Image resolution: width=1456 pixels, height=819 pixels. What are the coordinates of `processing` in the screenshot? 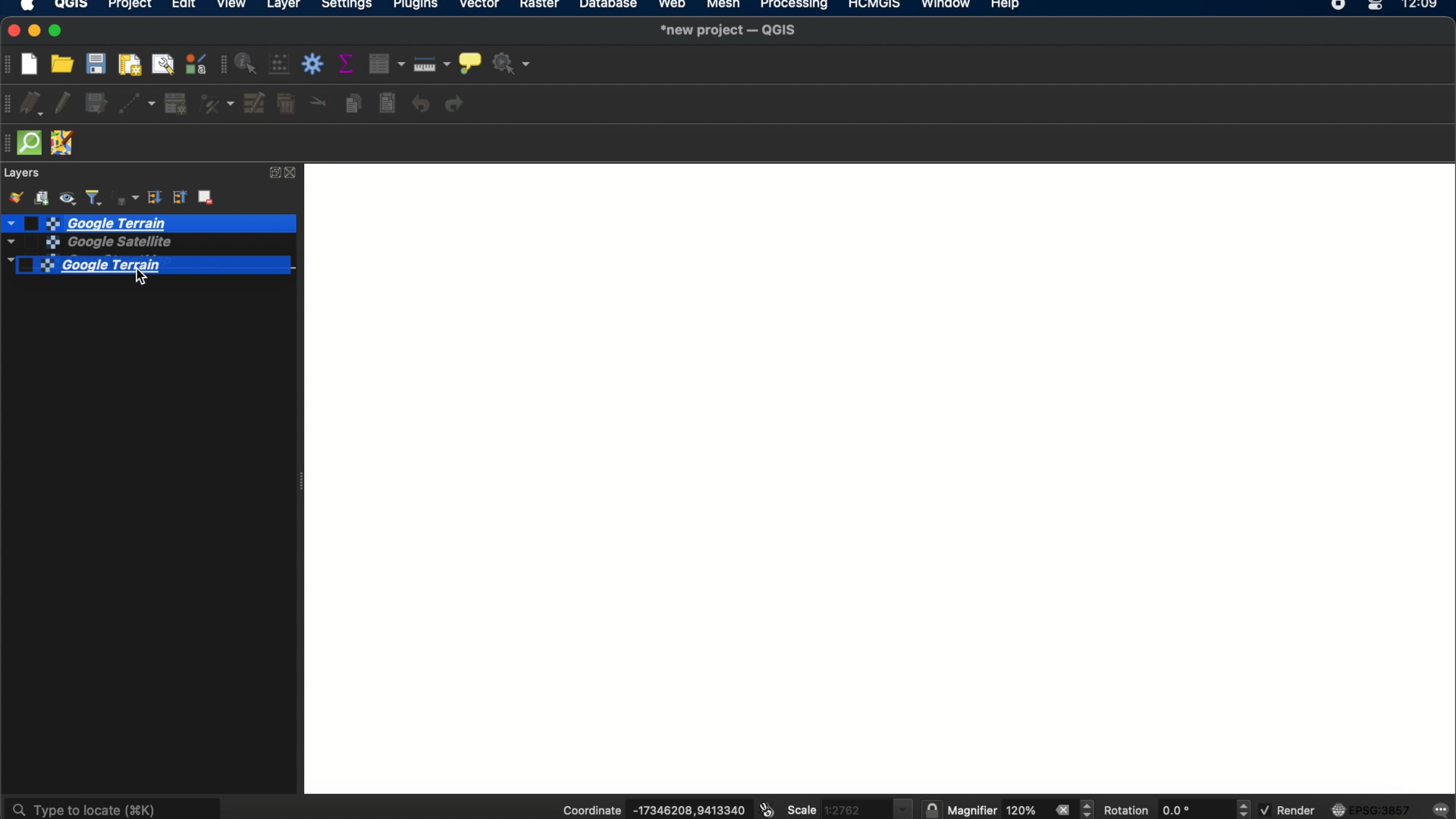 It's located at (795, 6).